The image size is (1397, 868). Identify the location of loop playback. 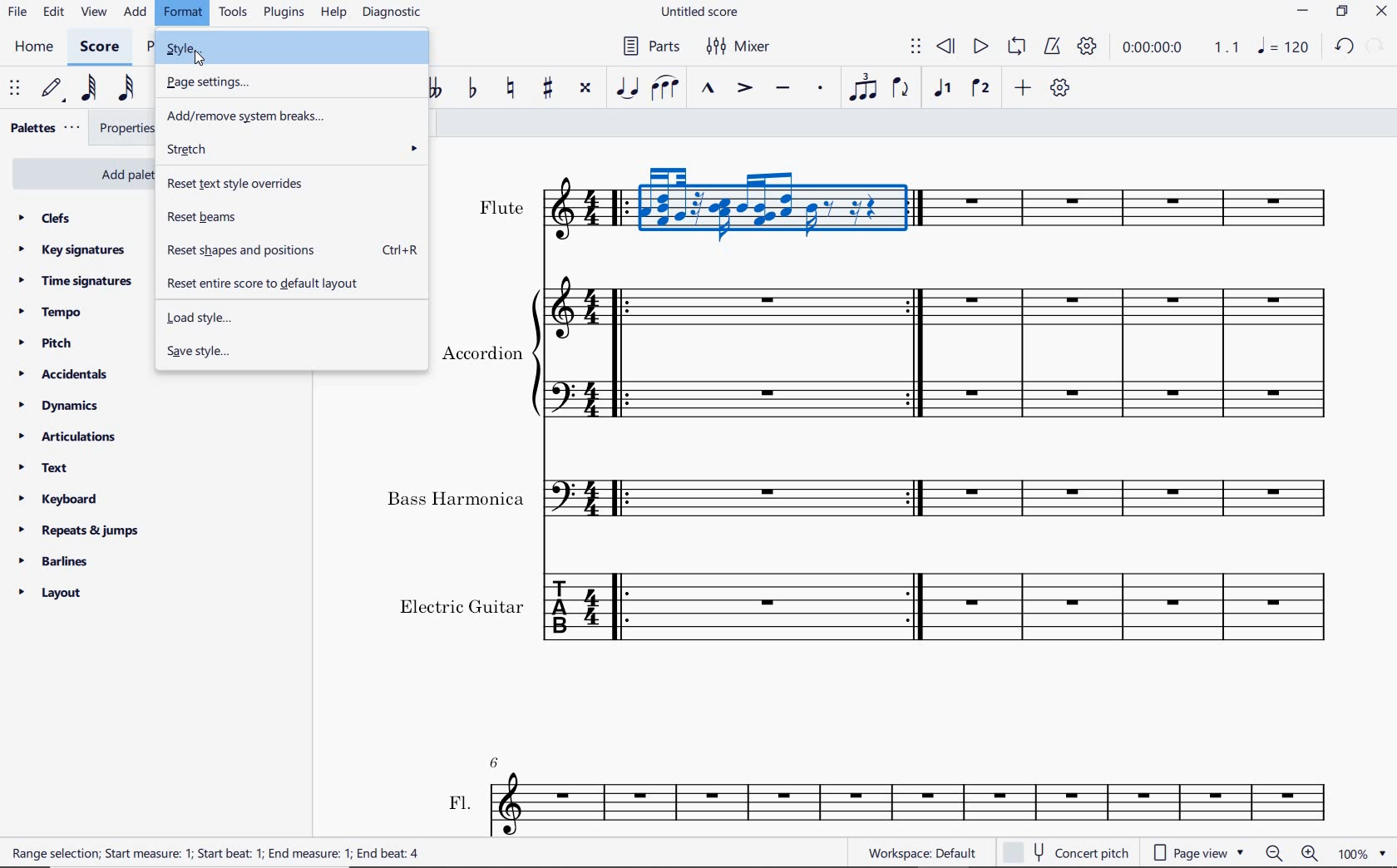
(1015, 47).